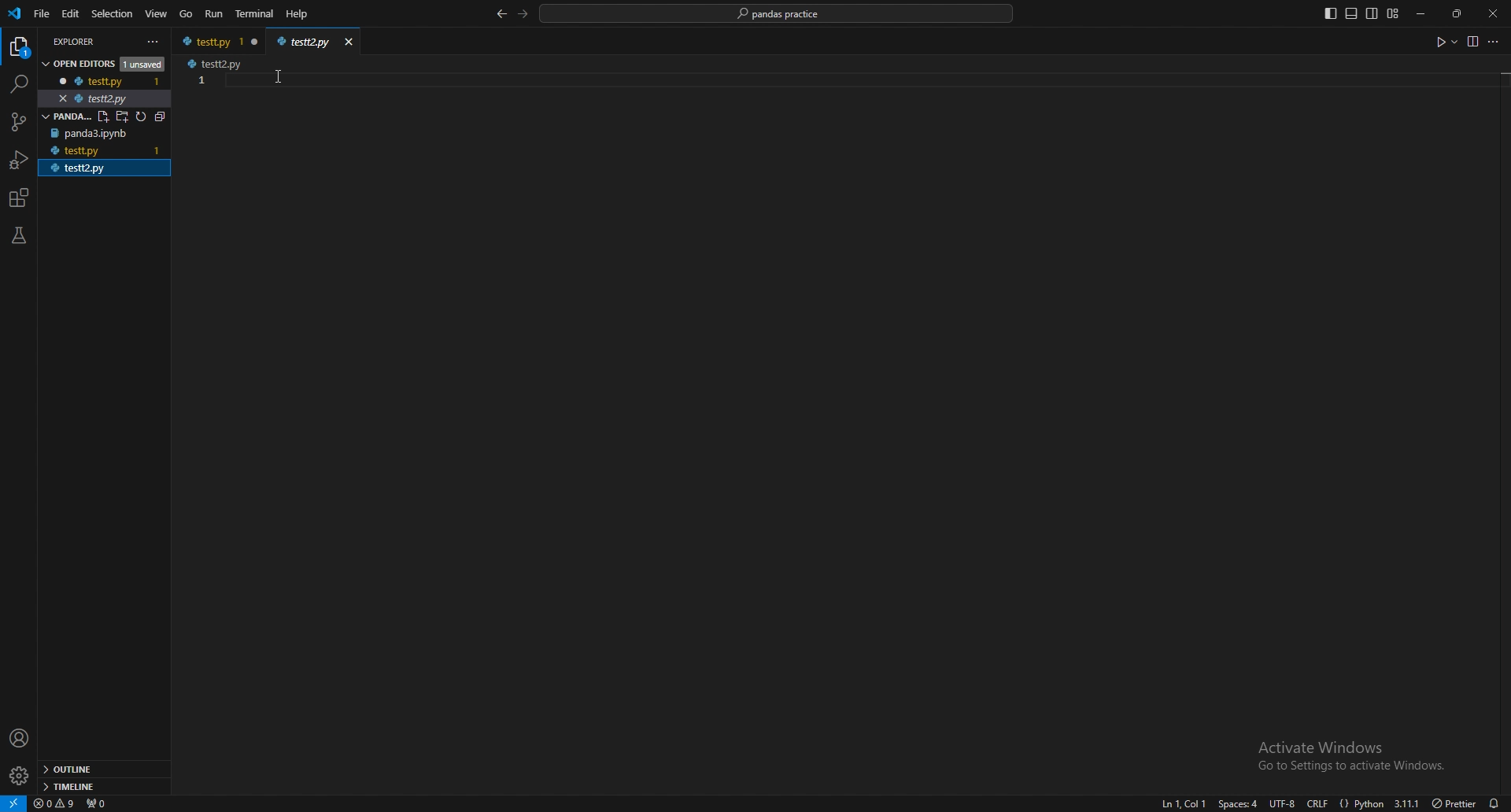  What do you see at coordinates (20, 776) in the screenshot?
I see `settings` at bounding box center [20, 776].